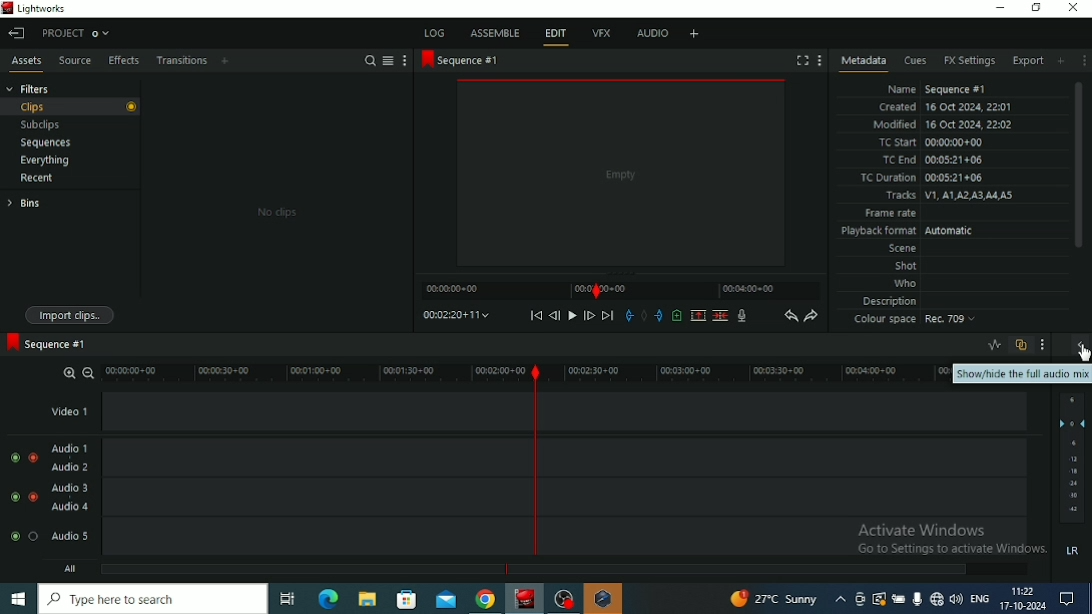 The image size is (1092, 614). Describe the element at coordinates (621, 172) in the screenshot. I see `Media Preview` at that location.